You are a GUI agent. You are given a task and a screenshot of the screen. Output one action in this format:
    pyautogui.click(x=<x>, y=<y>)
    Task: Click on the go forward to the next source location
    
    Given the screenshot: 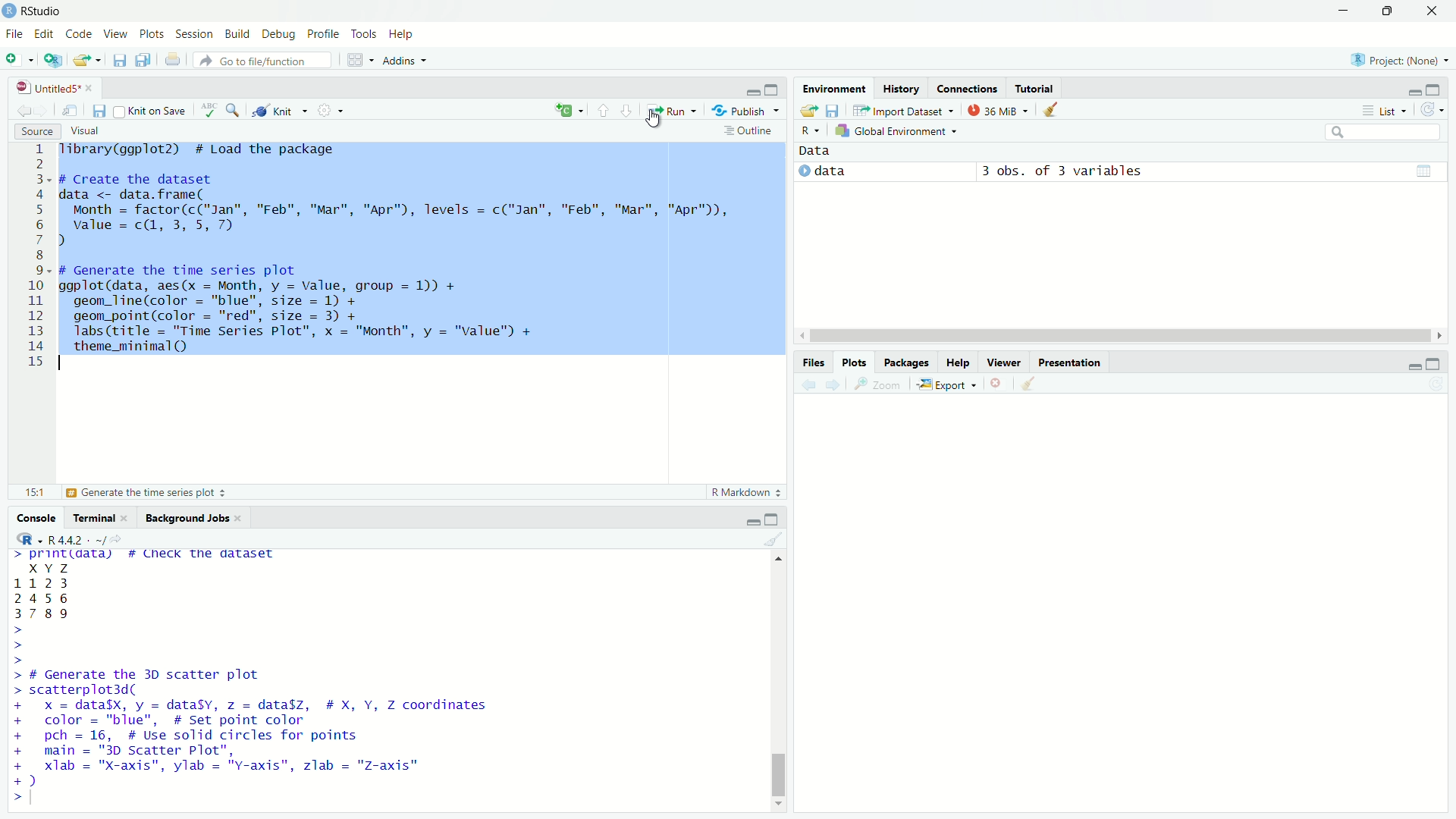 What is the action you would take?
    pyautogui.click(x=47, y=111)
    